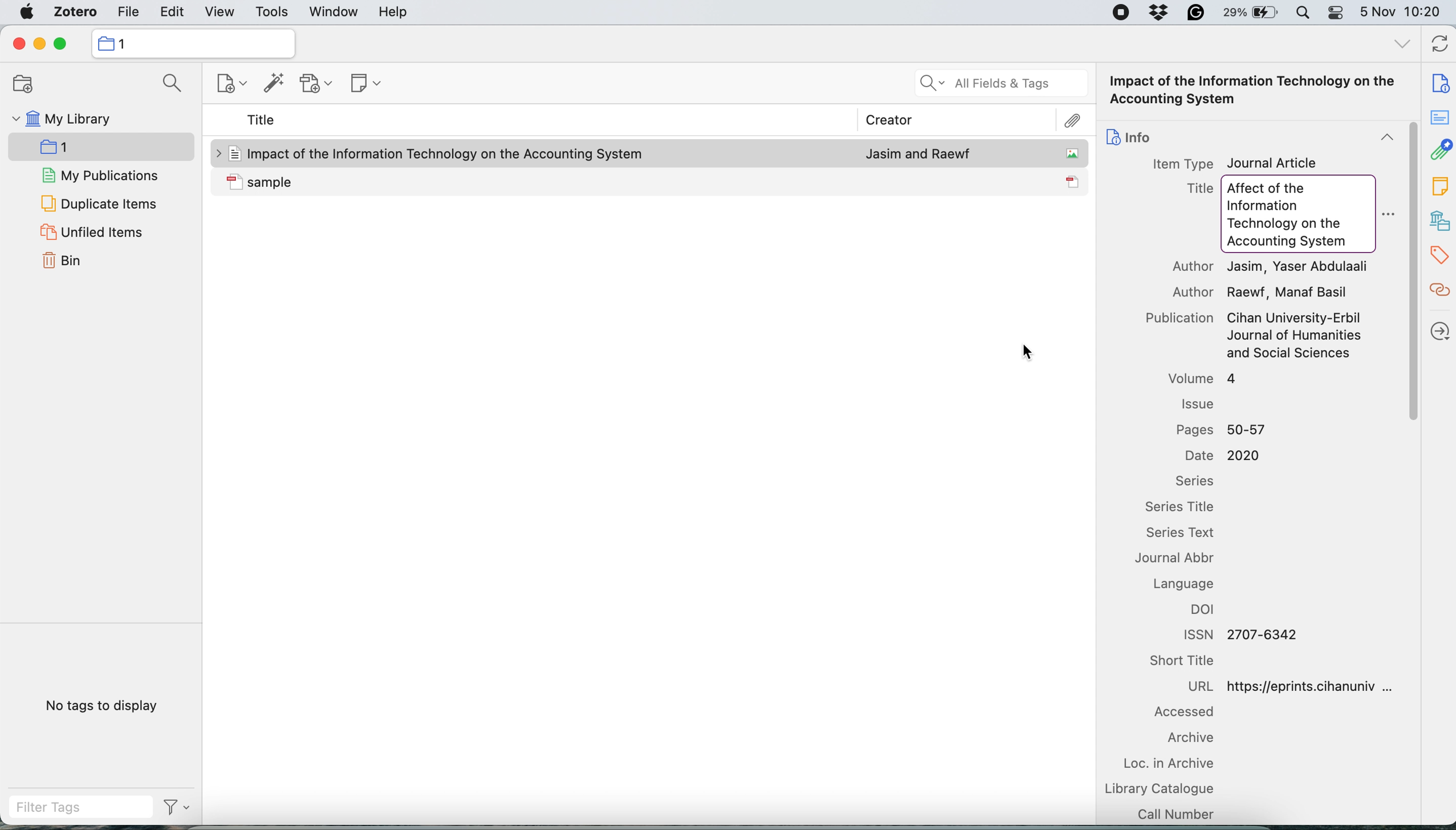  Describe the element at coordinates (1306, 14) in the screenshot. I see `spotlight search` at that location.